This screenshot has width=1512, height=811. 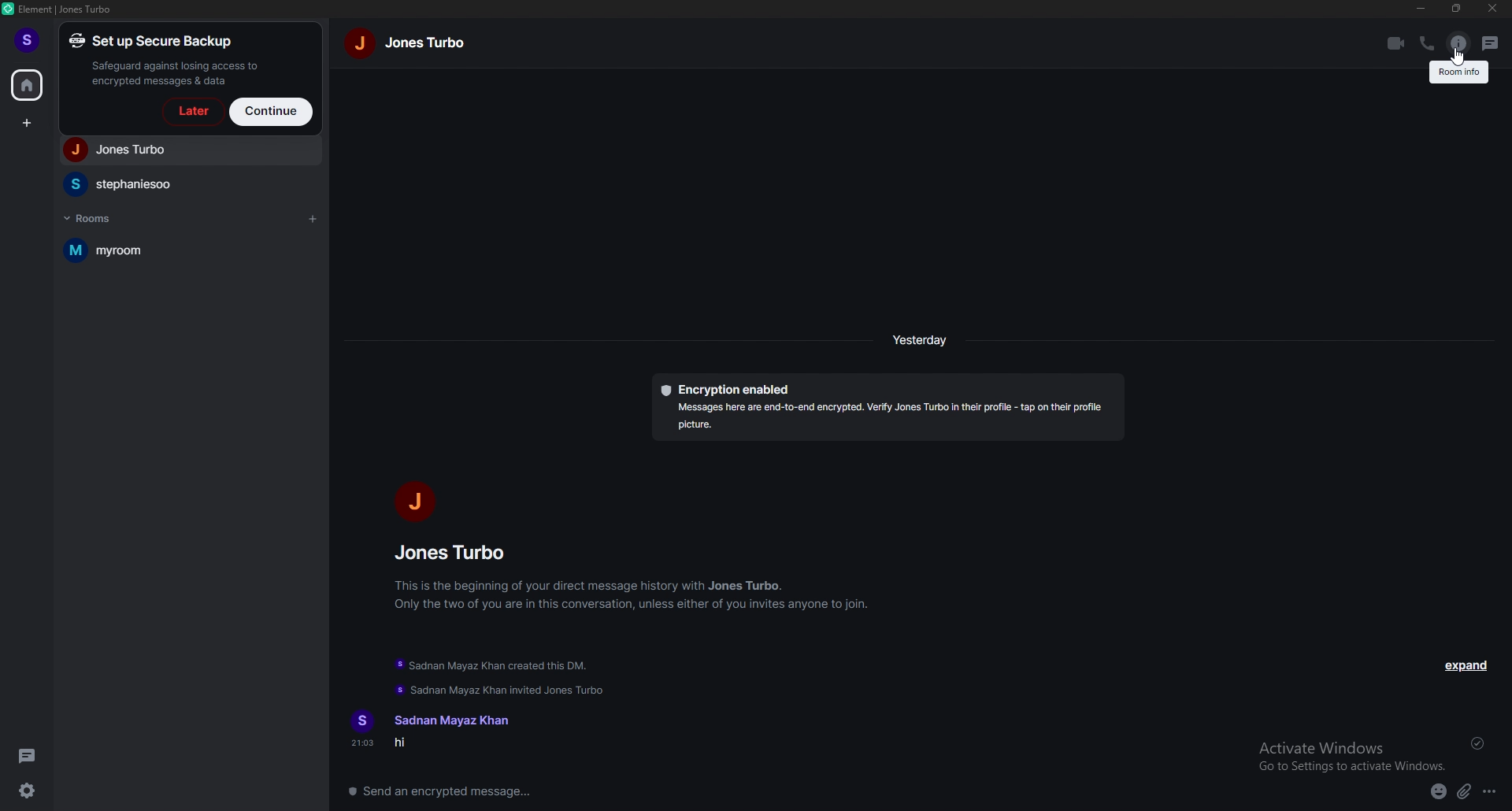 I want to click on name, so click(x=449, y=720).